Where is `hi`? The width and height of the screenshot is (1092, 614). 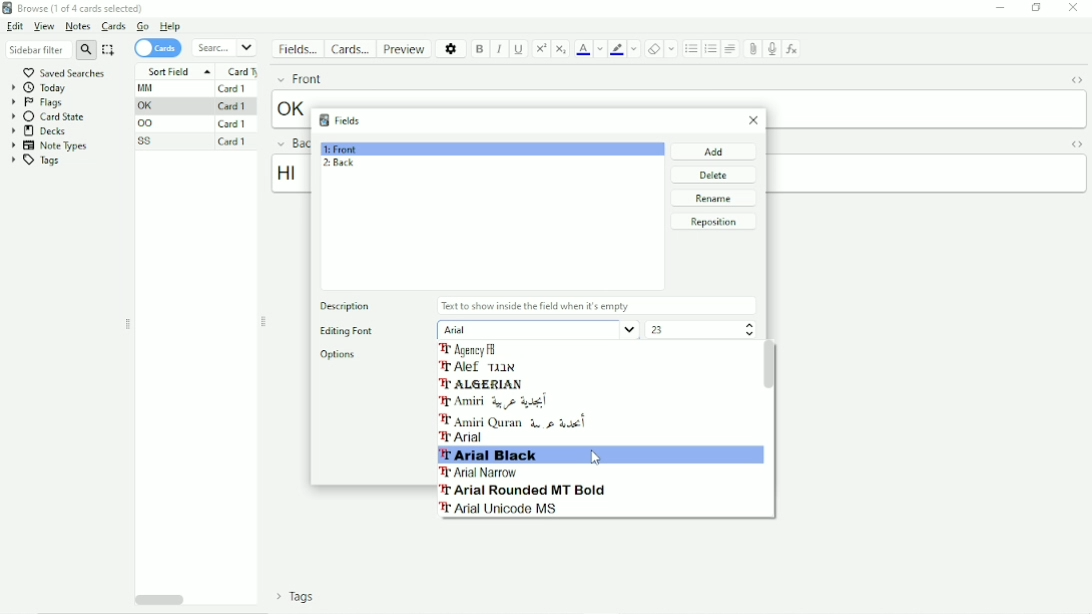
hi is located at coordinates (290, 174).